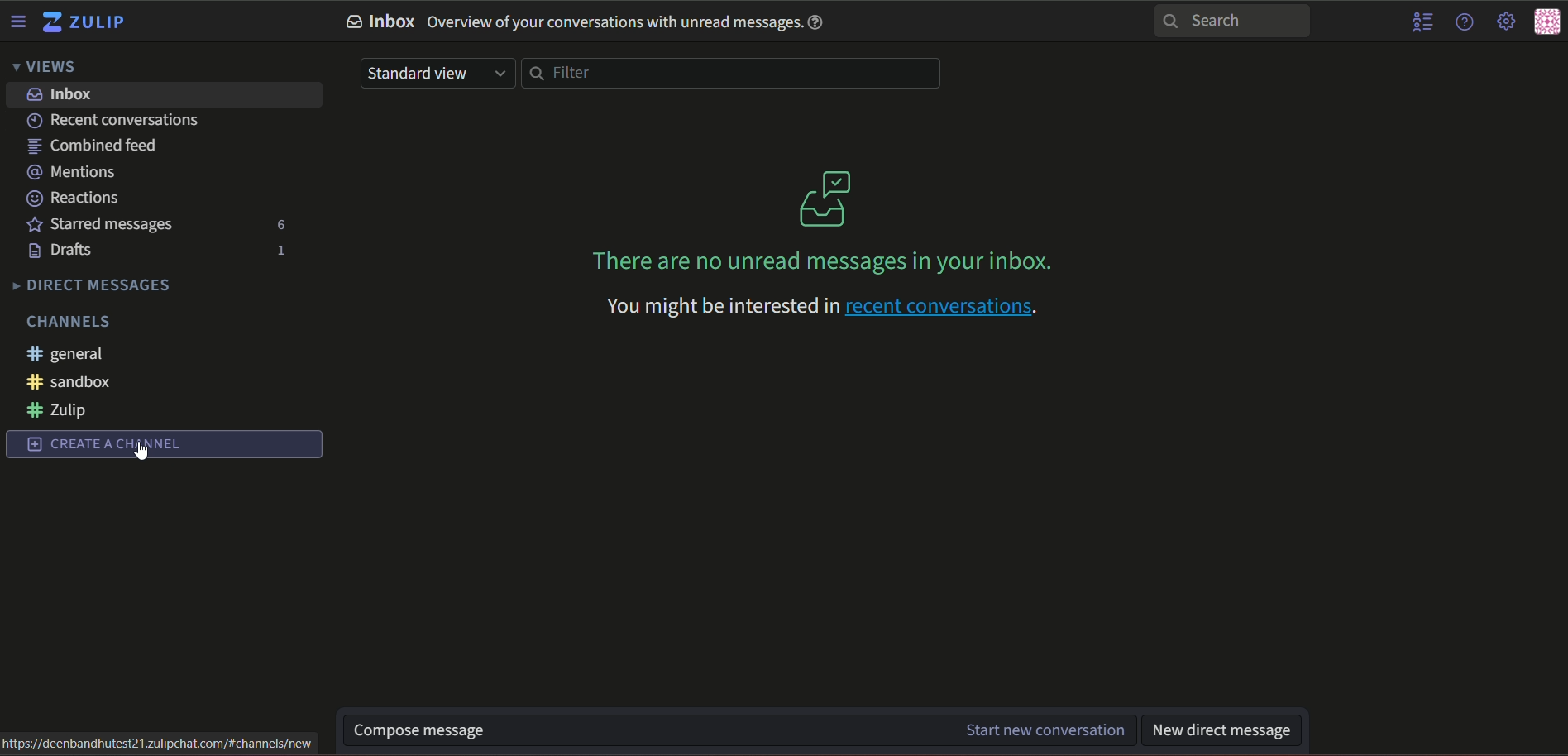 Image resolution: width=1568 pixels, height=756 pixels. I want to click on search, so click(1234, 22).